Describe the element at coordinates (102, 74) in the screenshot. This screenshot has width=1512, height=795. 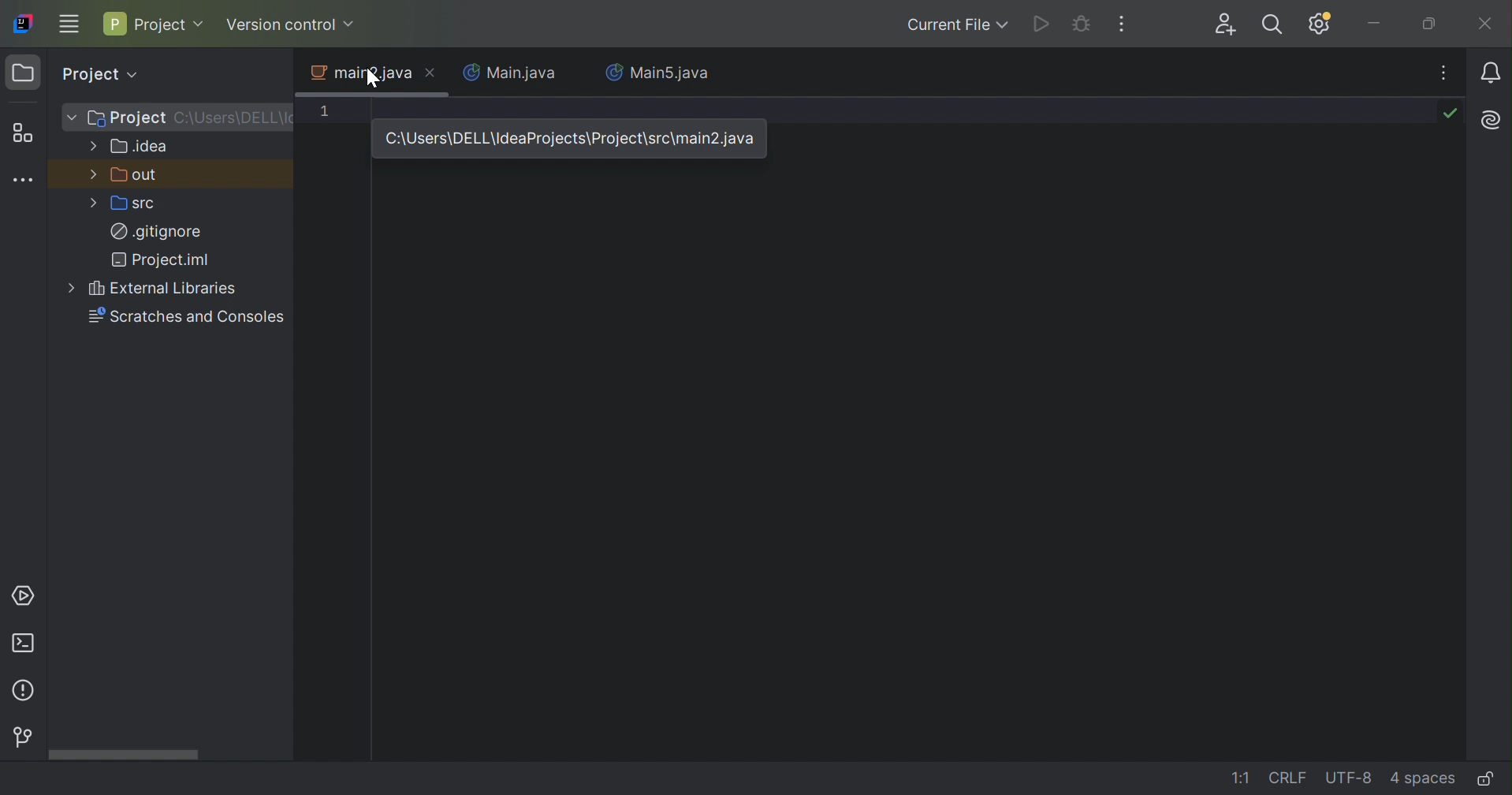
I see `Project` at that location.